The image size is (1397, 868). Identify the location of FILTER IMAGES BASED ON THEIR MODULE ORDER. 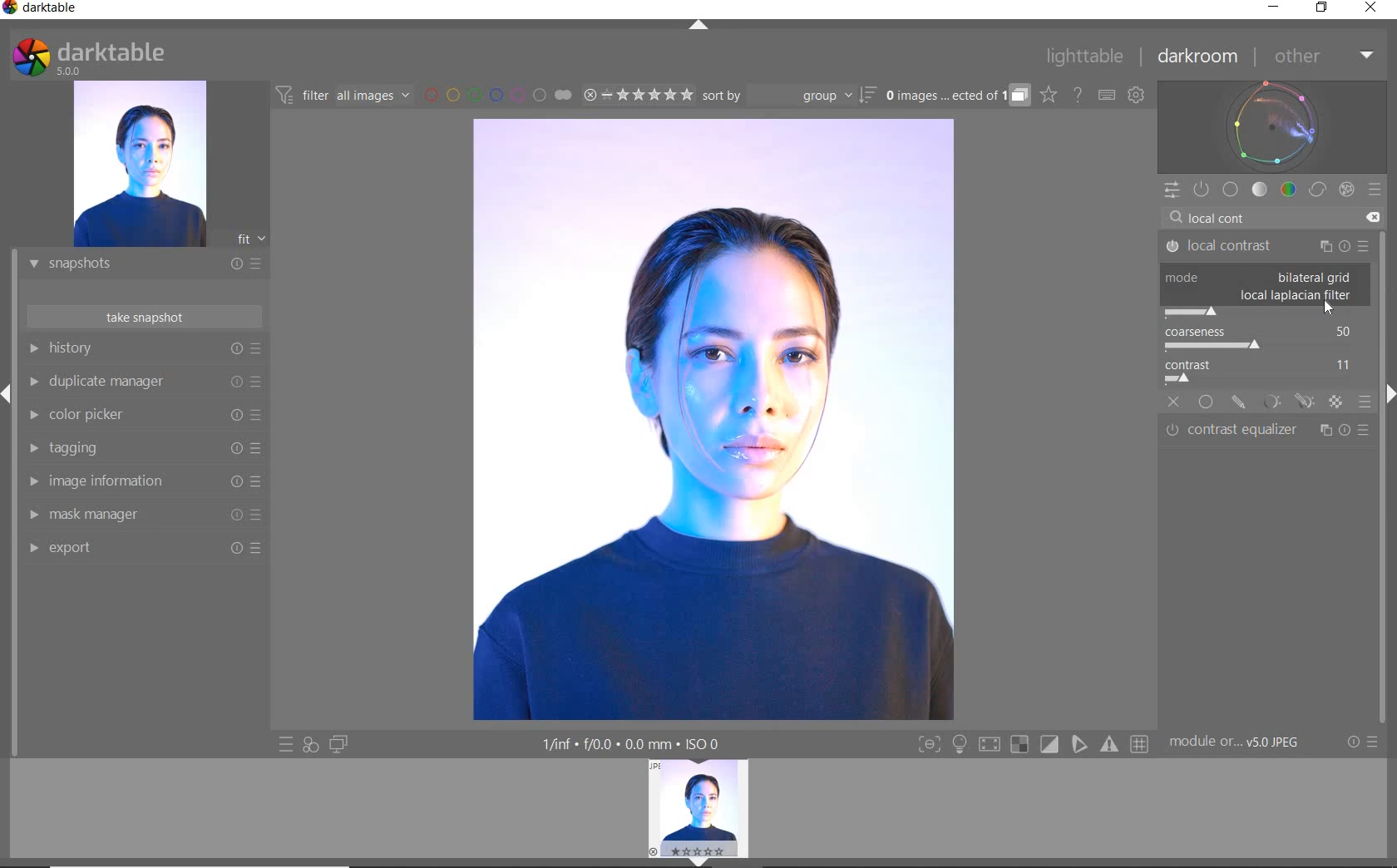
(343, 98).